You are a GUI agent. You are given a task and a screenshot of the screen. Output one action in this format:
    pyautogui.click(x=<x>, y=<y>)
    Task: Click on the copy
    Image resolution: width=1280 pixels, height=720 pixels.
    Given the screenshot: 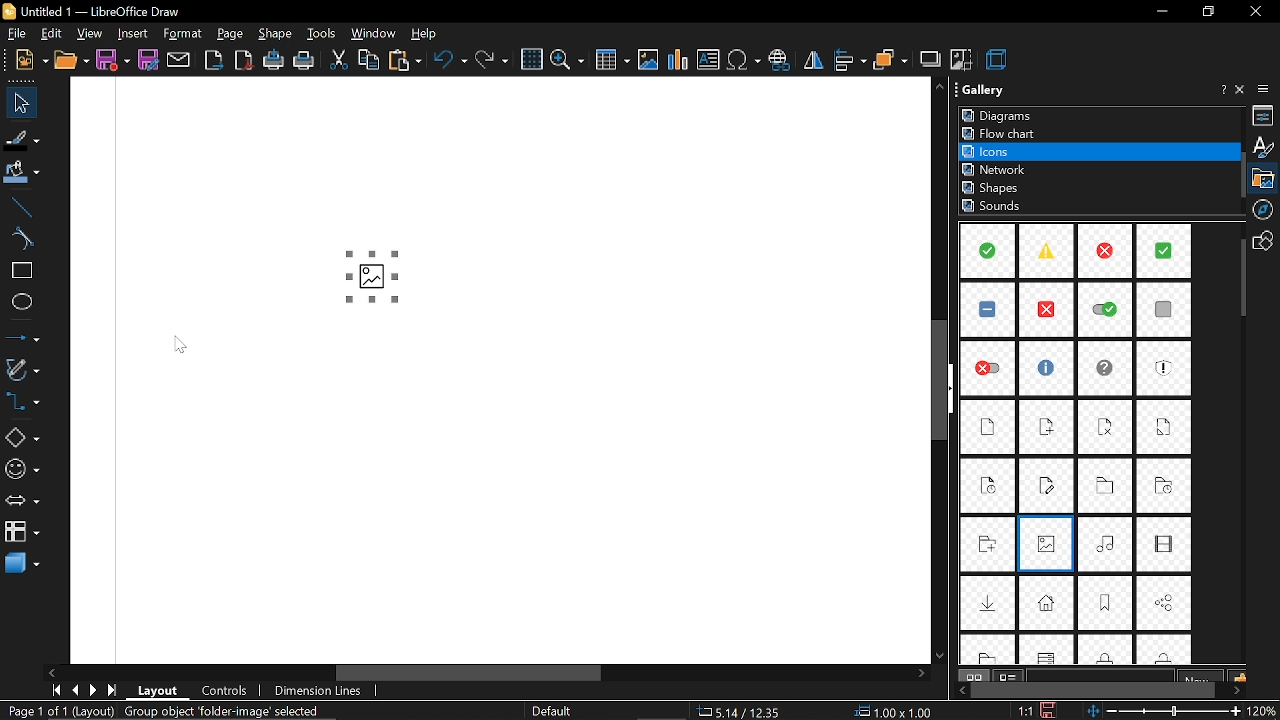 What is the action you would take?
    pyautogui.click(x=369, y=62)
    